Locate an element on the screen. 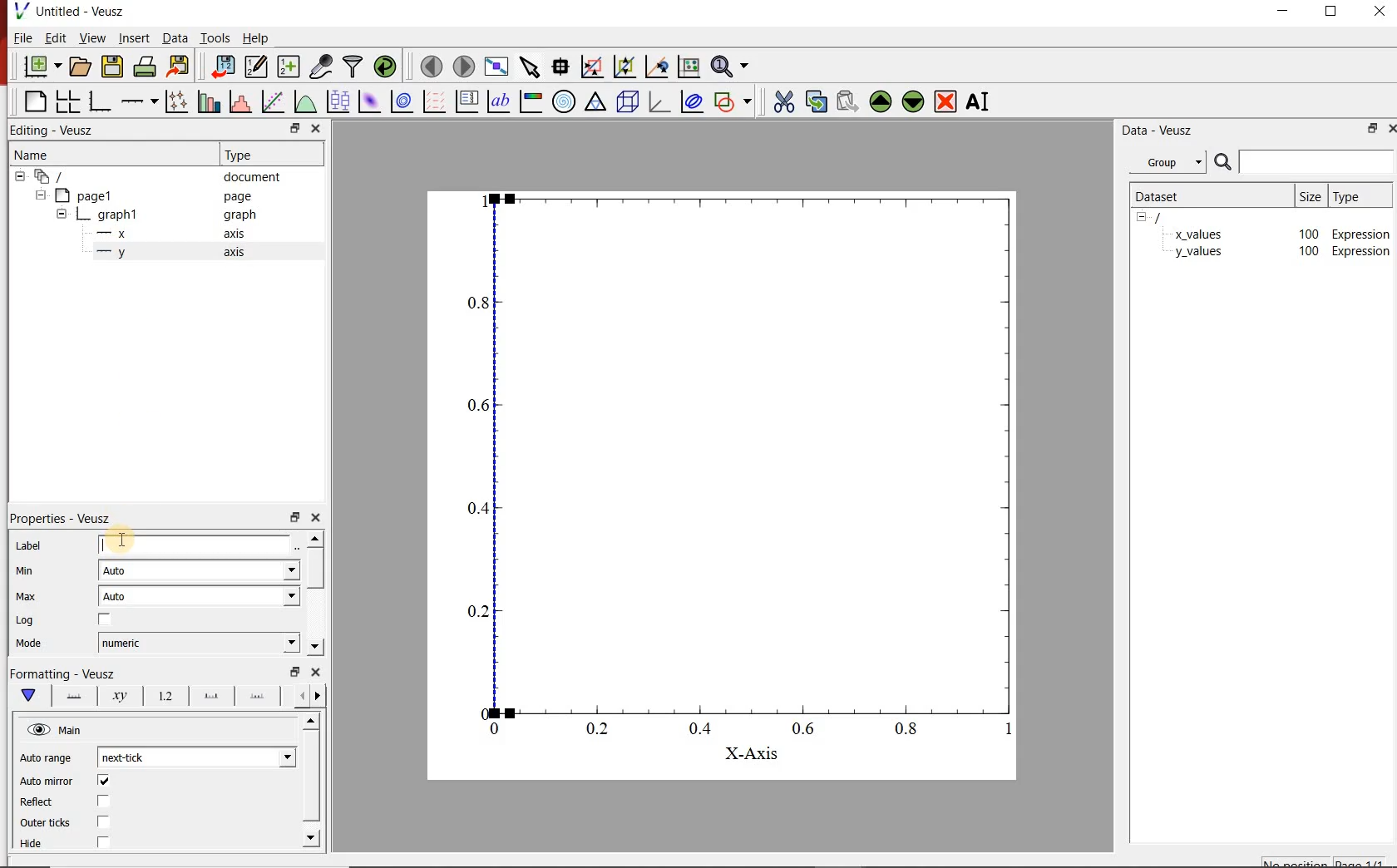 The image size is (1397, 868). 100 is located at coordinates (1308, 233).